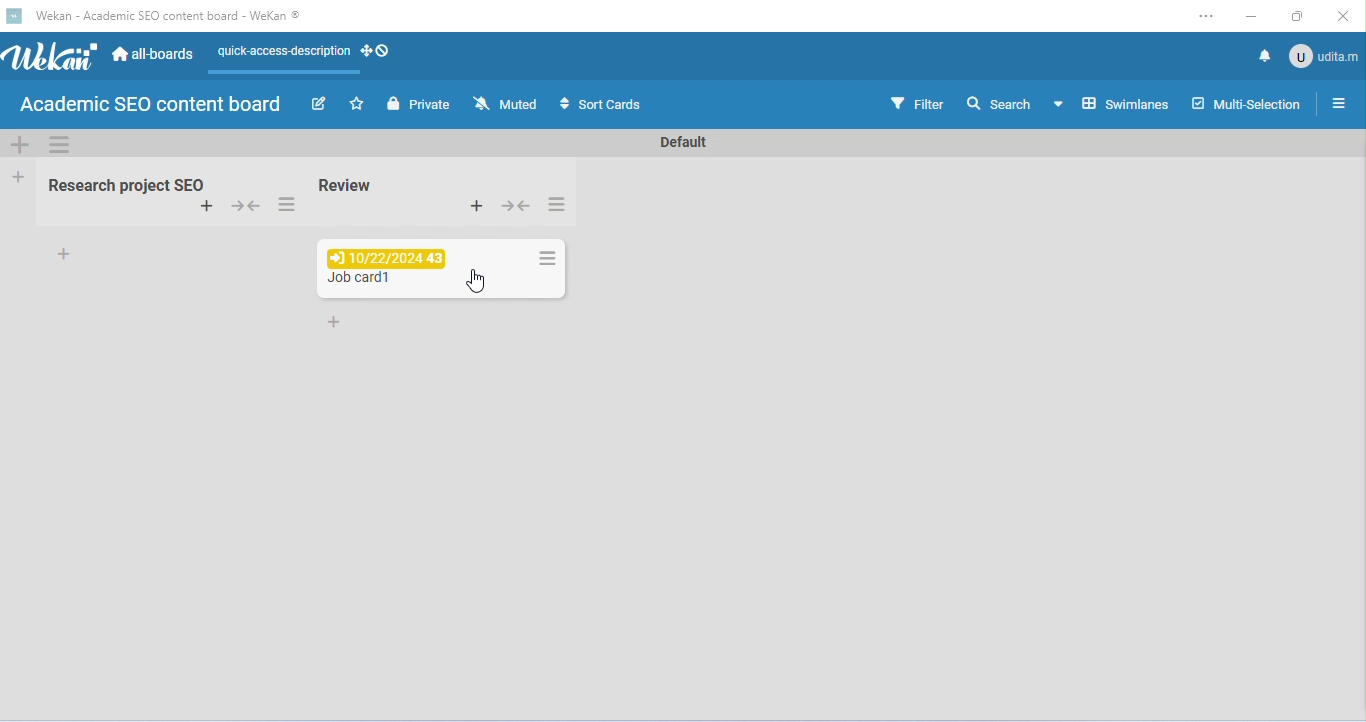 The image size is (1366, 722). Describe the element at coordinates (382, 258) in the screenshot. I see `due date: 10/22/2024 43` at that location.